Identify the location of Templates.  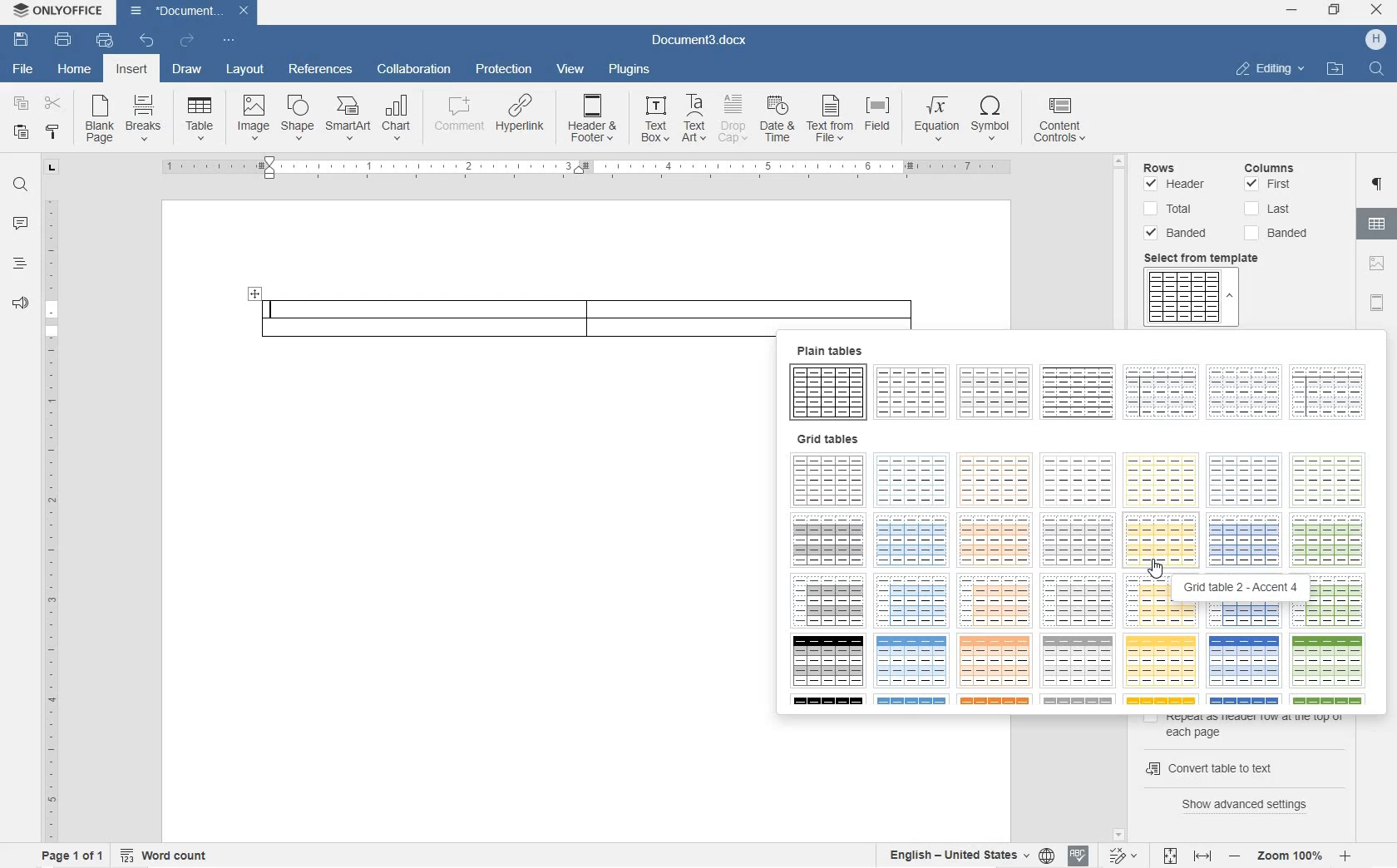
(1192, 298).